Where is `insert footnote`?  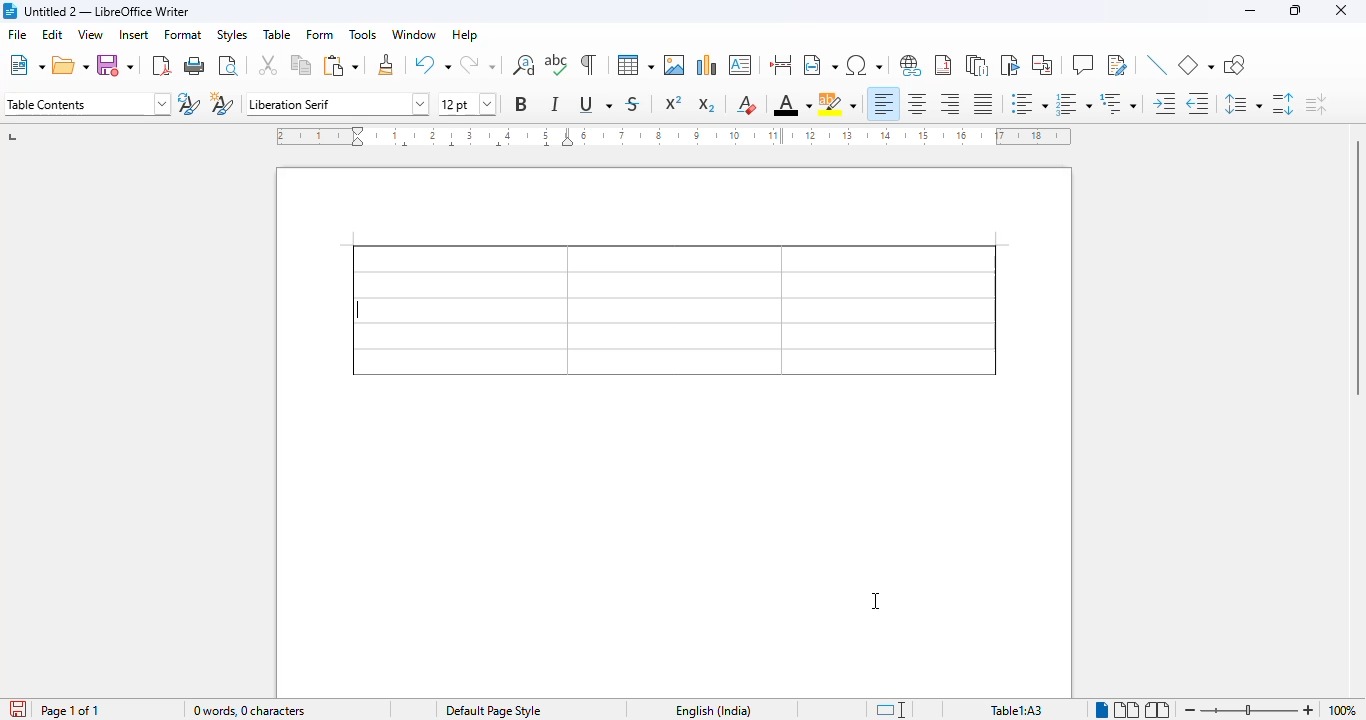 insert footnote is located at coordinates (943, 65).